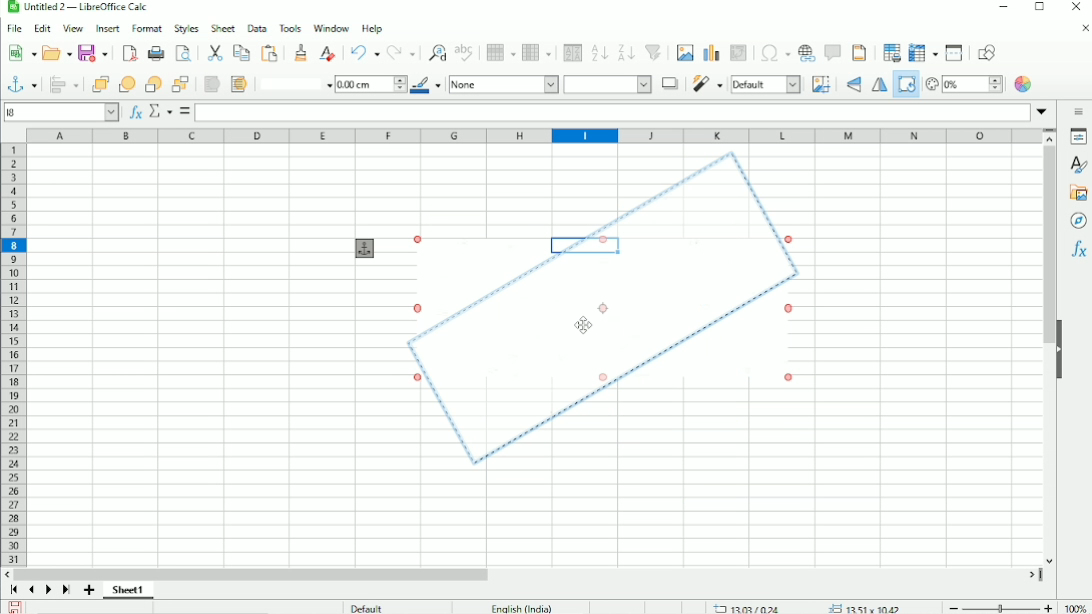  What do you see at coordinates (291, 29) in the screenshot?
I see `Tools` at bounding box center [291, 29].